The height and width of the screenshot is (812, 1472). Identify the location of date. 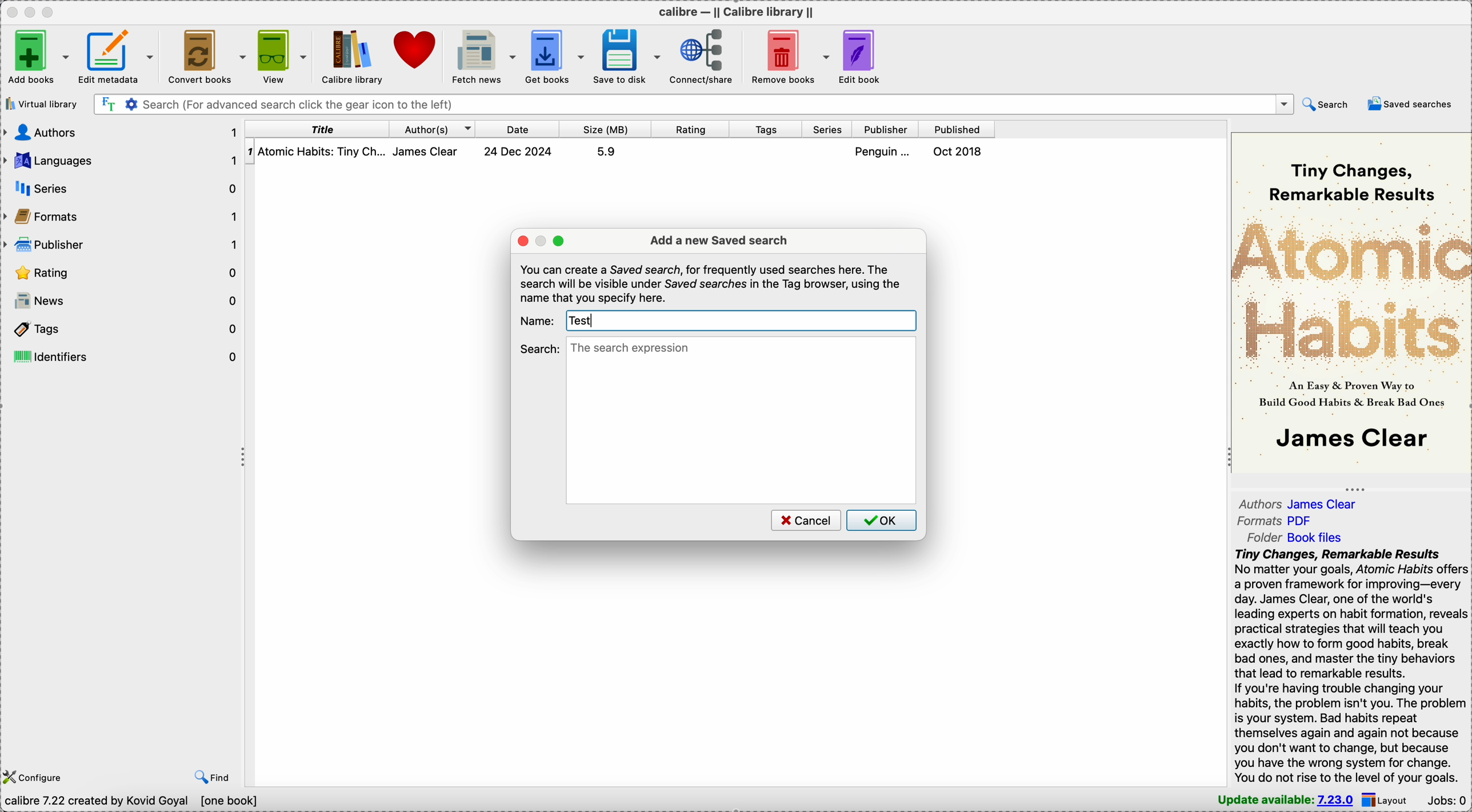
(518, 129).